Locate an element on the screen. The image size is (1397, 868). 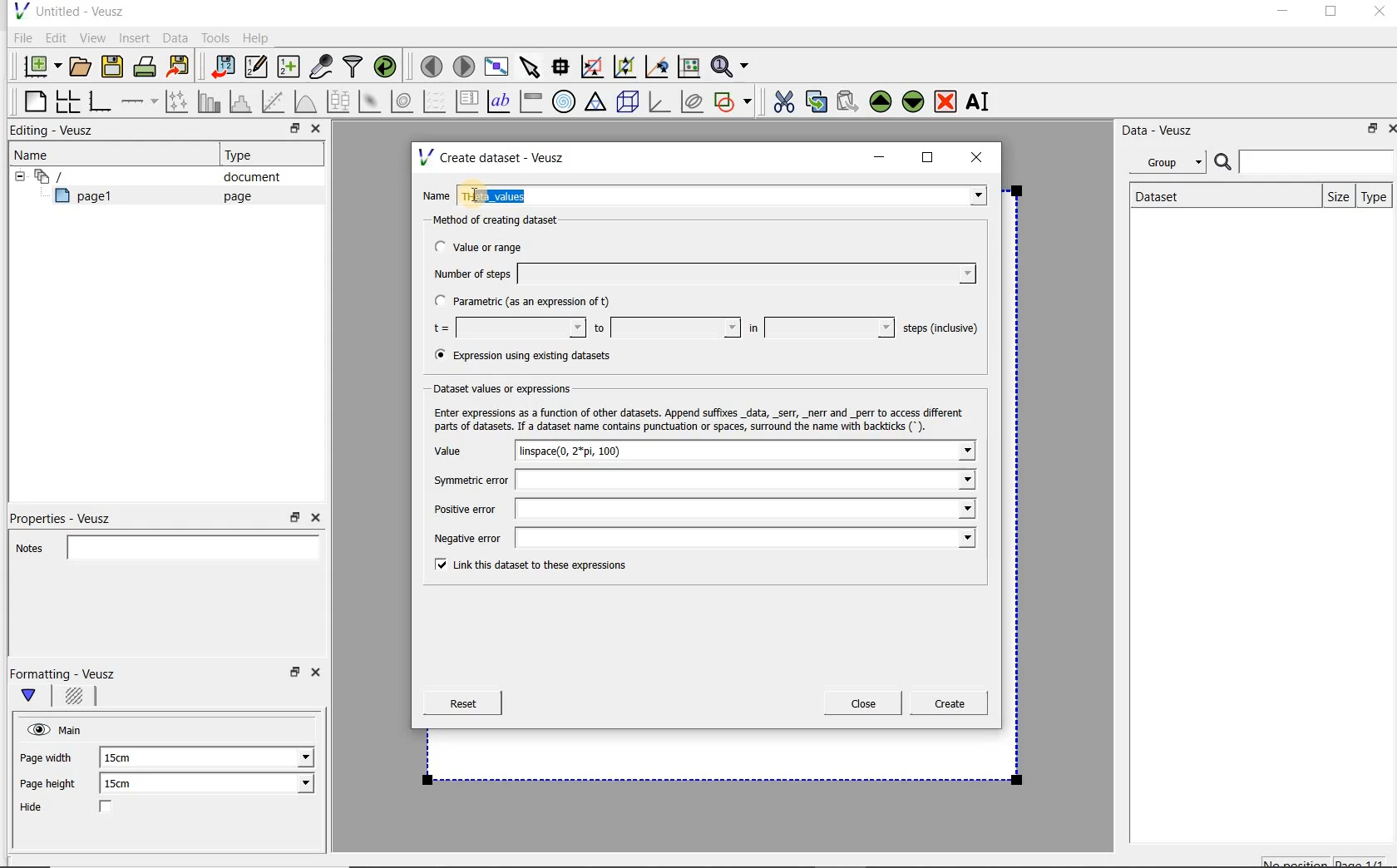
Close is located at coordinates (1378, 14).